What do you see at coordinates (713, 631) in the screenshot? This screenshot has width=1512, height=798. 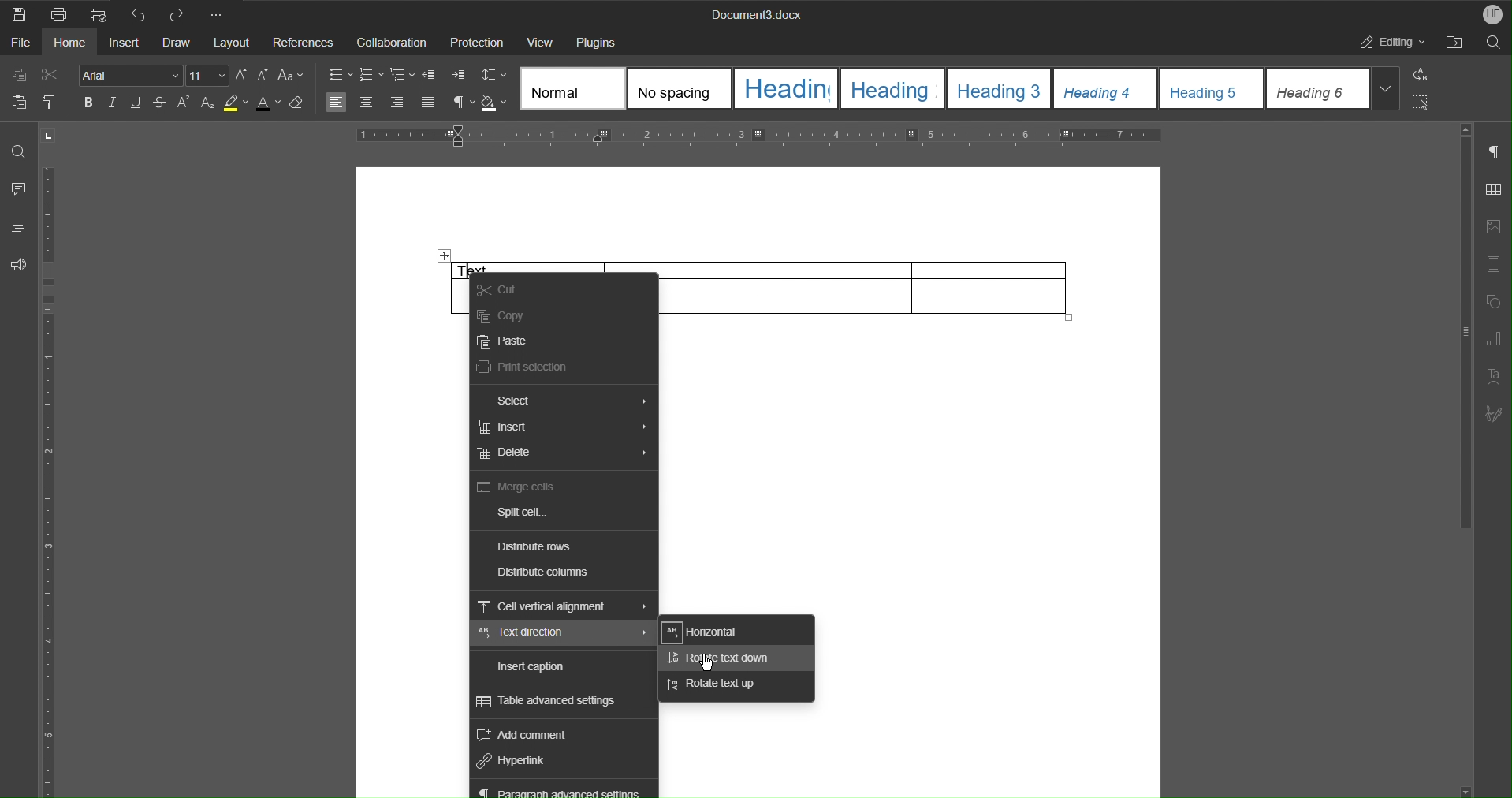 I see `Horizontal ` at bounding box center [713, 631].